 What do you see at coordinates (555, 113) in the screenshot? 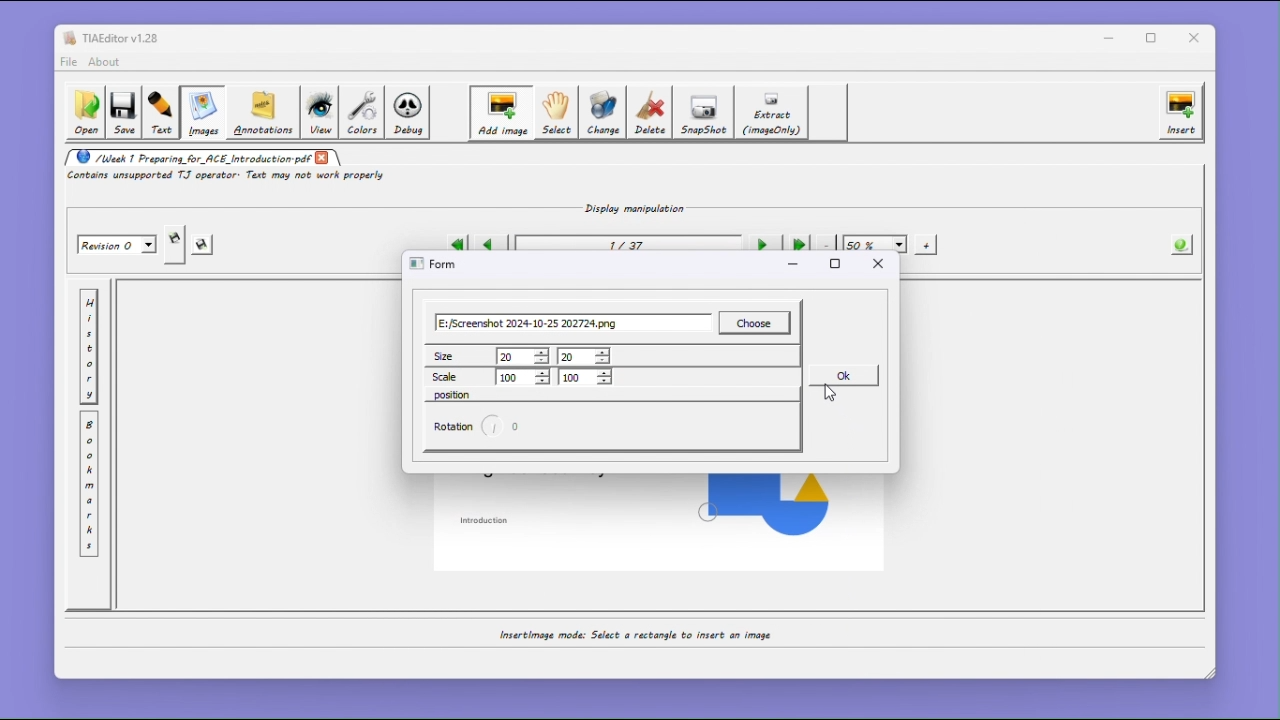
I see `Select ` at bounding box center [555, 113].